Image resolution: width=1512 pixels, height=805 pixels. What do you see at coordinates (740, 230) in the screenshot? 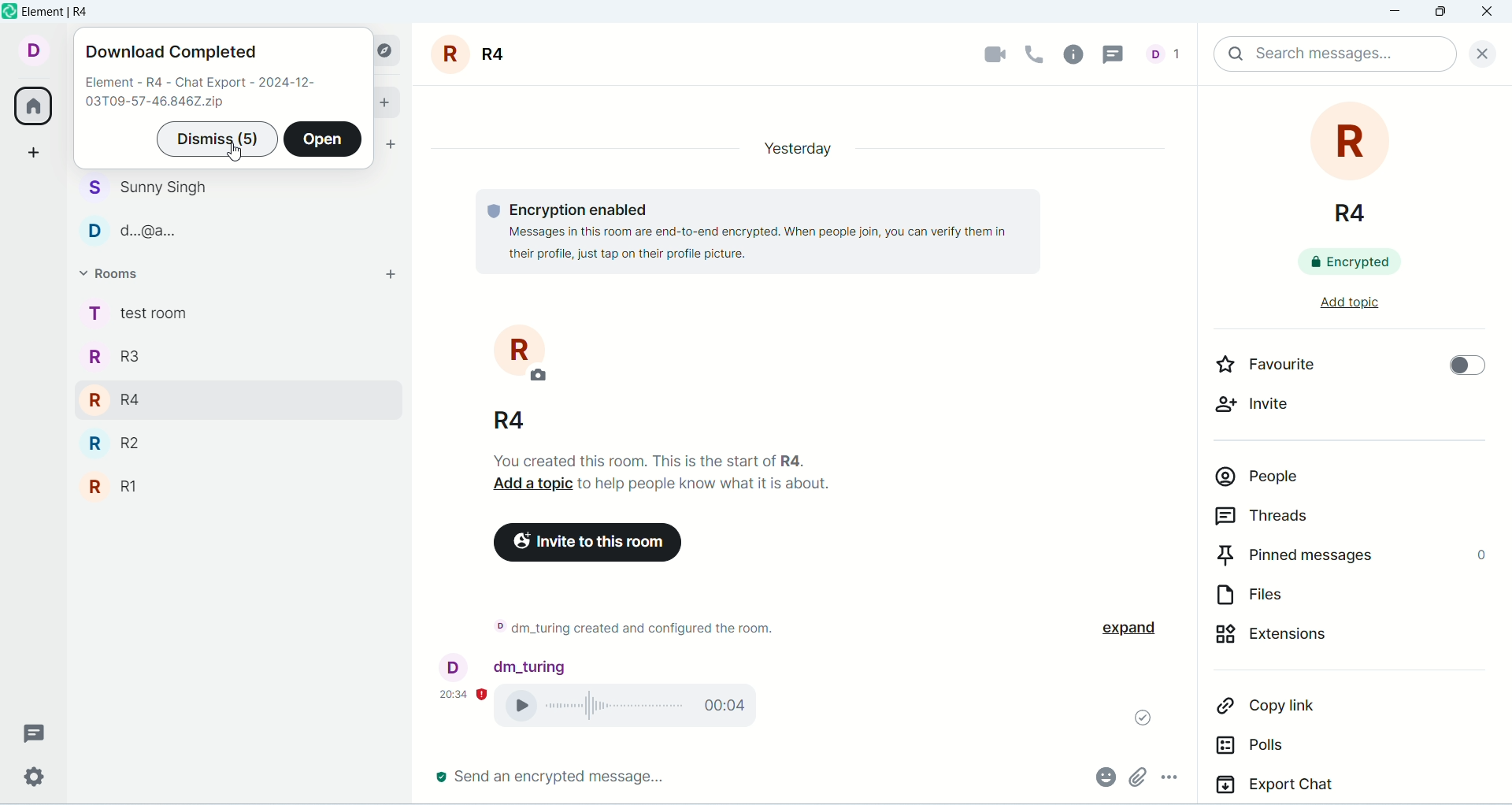
I see `text` at bounding box center [740, 230].